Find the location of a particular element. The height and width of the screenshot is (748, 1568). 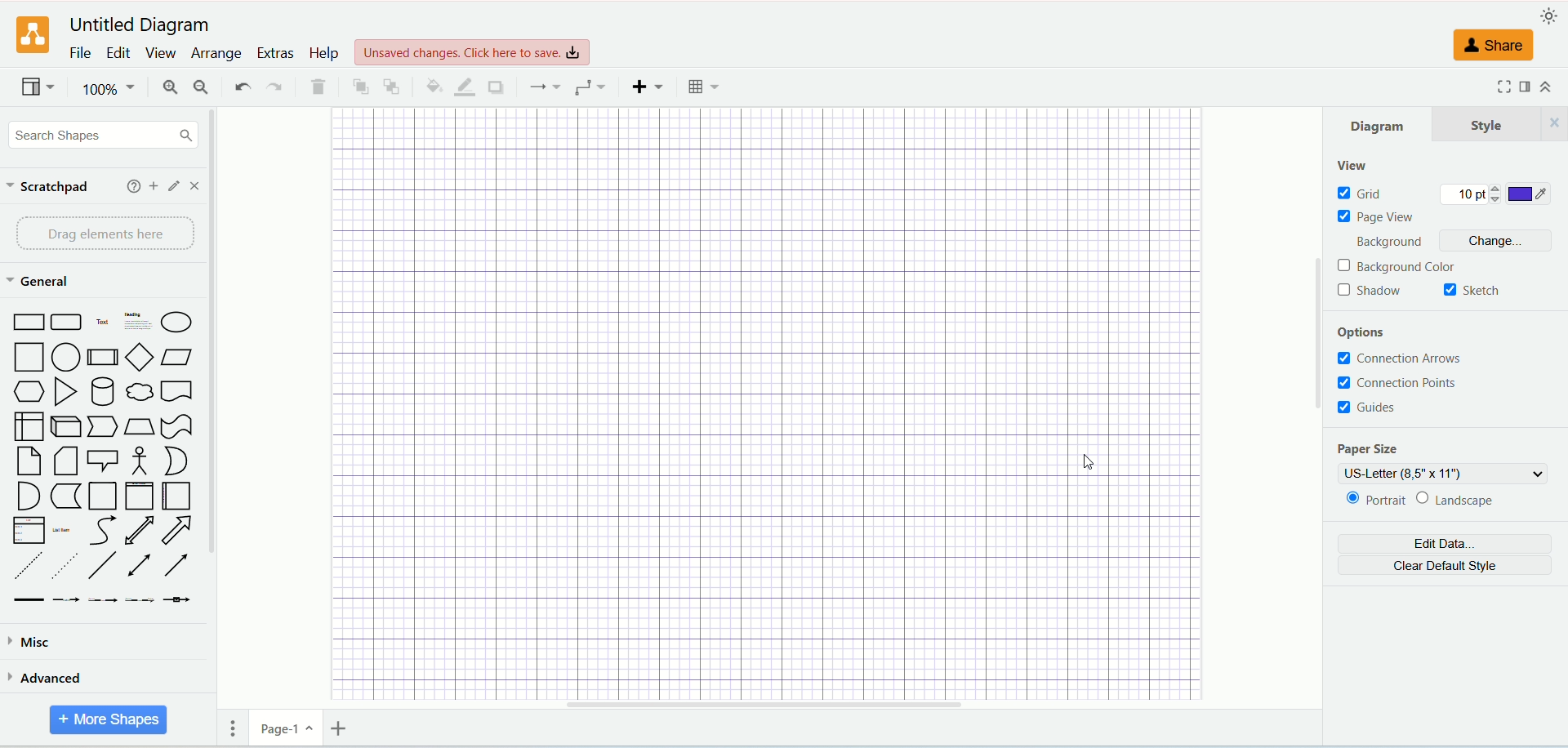

add is located at coordinates (154, 185).